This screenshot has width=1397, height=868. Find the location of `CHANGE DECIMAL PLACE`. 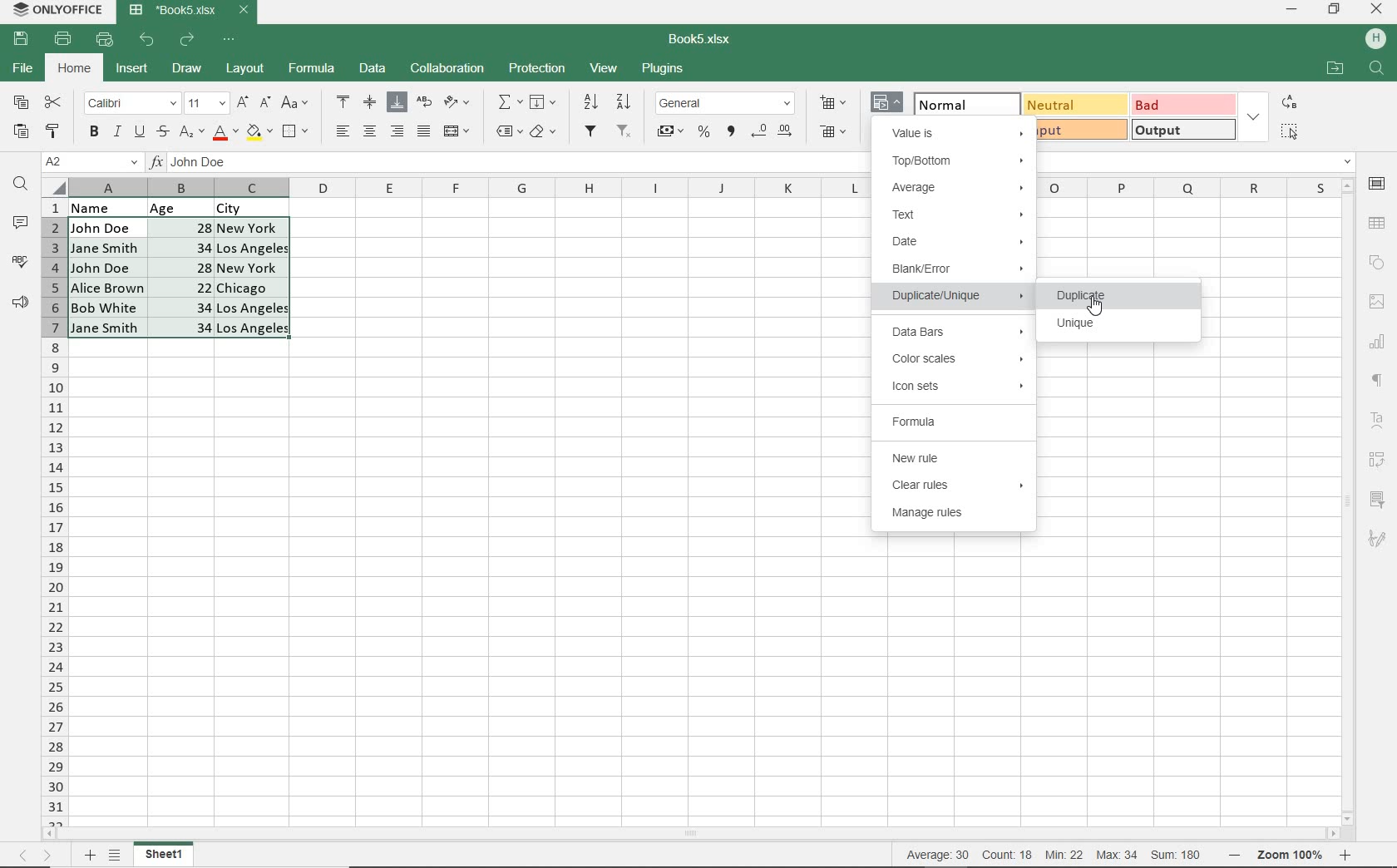

CHANGE DECIMAL PLACE is located at coordinates (771, 132).